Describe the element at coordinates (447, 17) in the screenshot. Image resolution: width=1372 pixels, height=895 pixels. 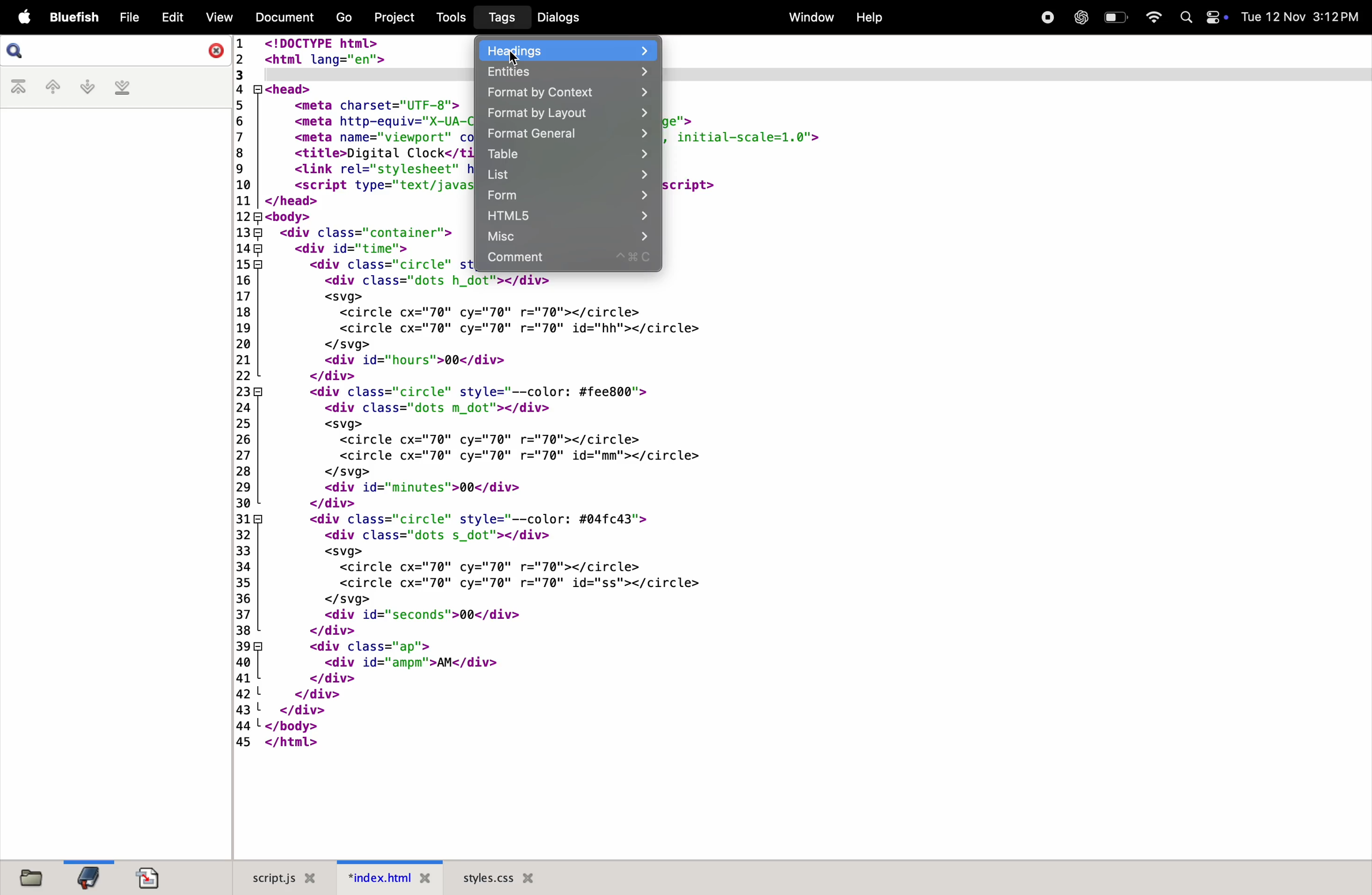
I see `tools` at that location.